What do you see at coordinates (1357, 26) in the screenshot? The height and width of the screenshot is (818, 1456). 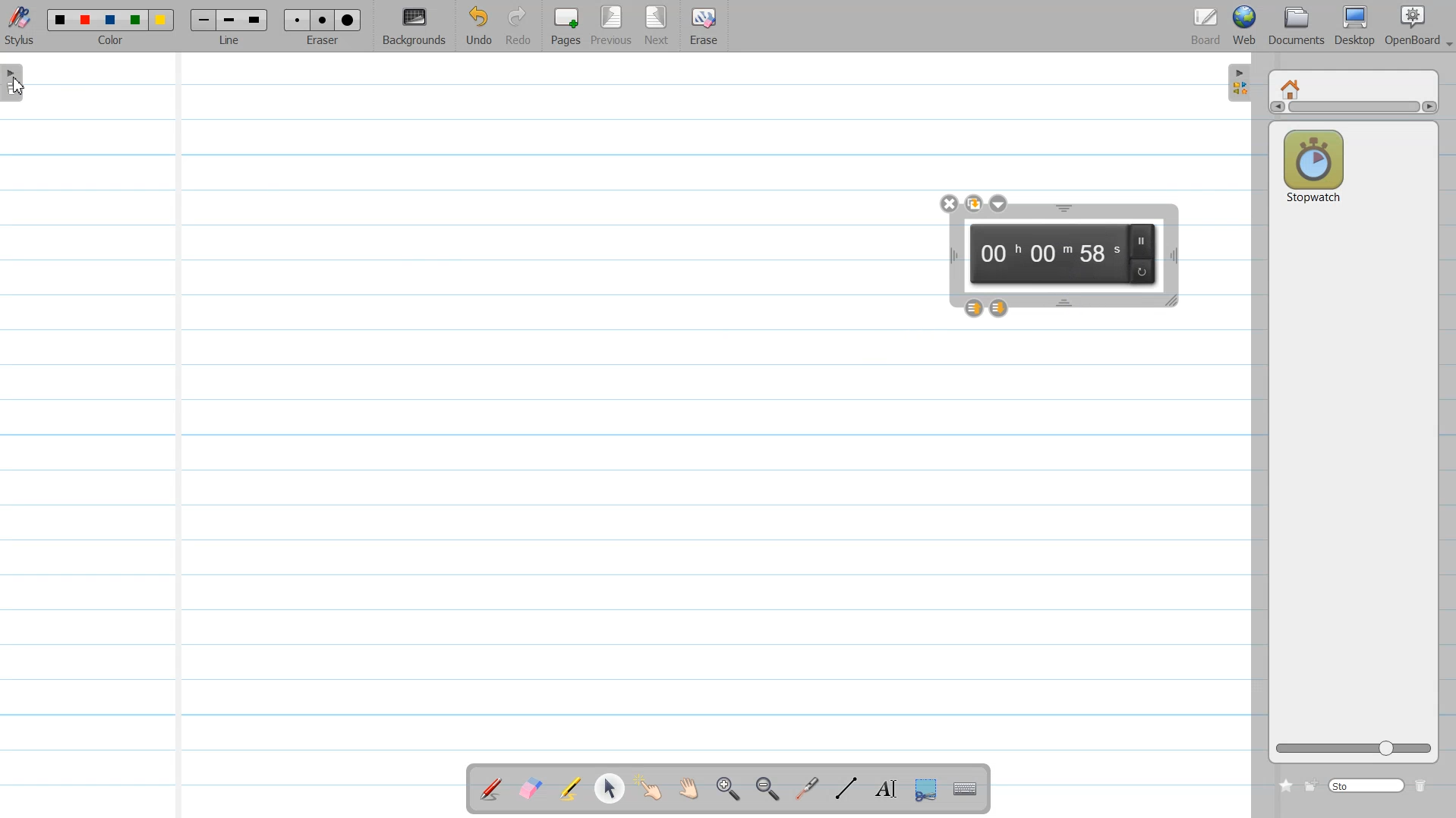 I see `Desktop` at bounding box center [1357, 26].